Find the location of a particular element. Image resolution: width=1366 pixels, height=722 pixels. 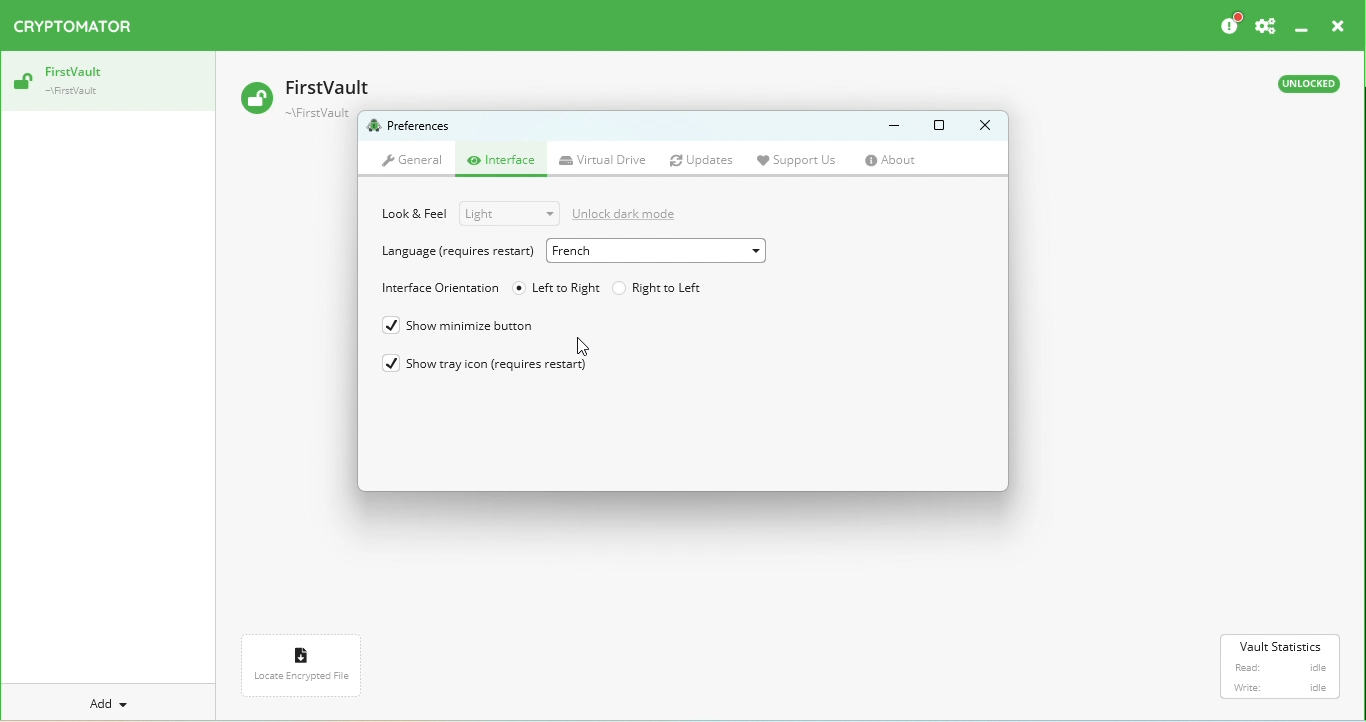

Unlock dark mode is located at coordinates (633, 211).